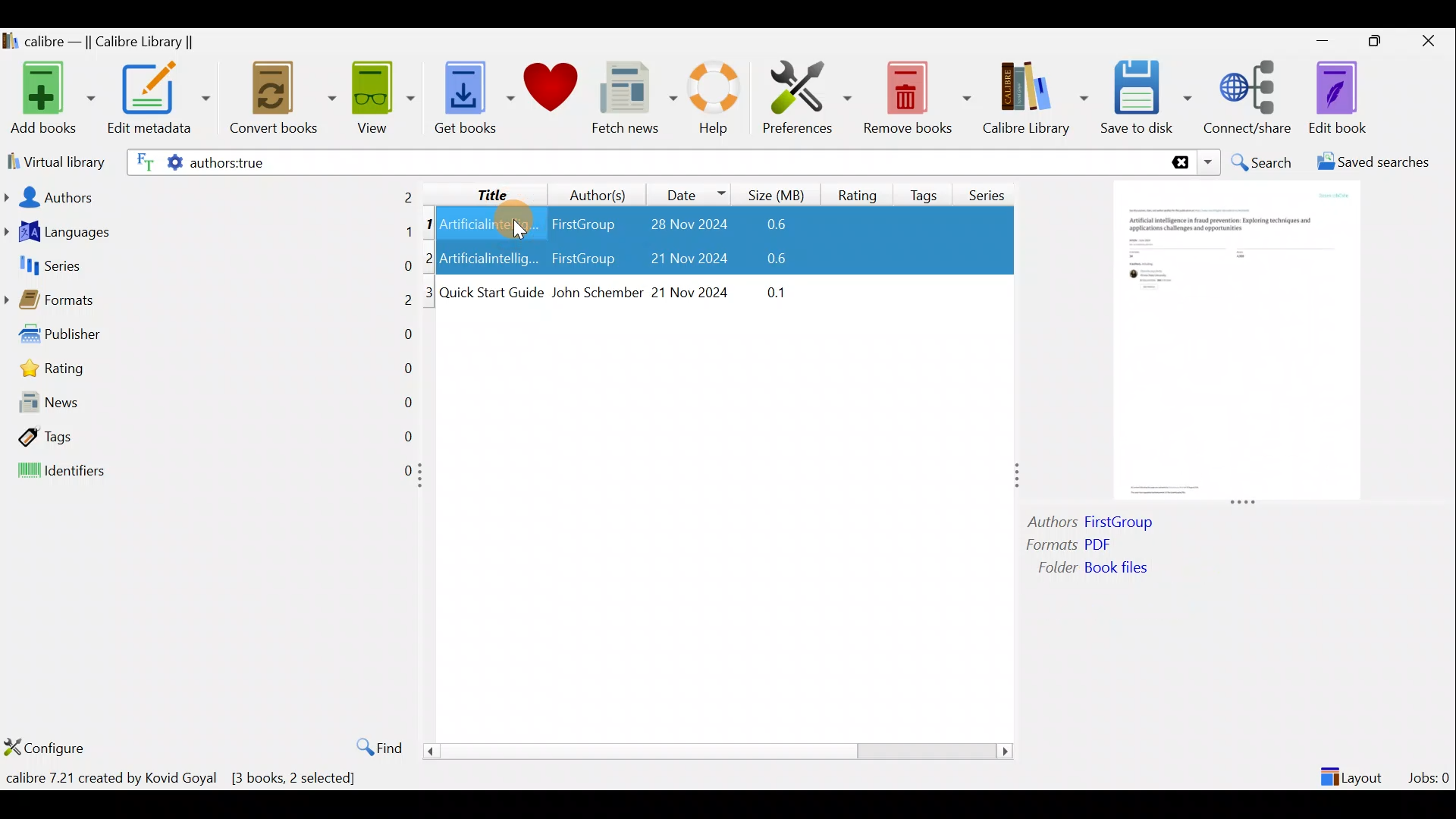 The height and width of the screenshot is (819, 1456). Describe the element at coordinates (215, 372) in the screenshot. I see `Rating` at that location.